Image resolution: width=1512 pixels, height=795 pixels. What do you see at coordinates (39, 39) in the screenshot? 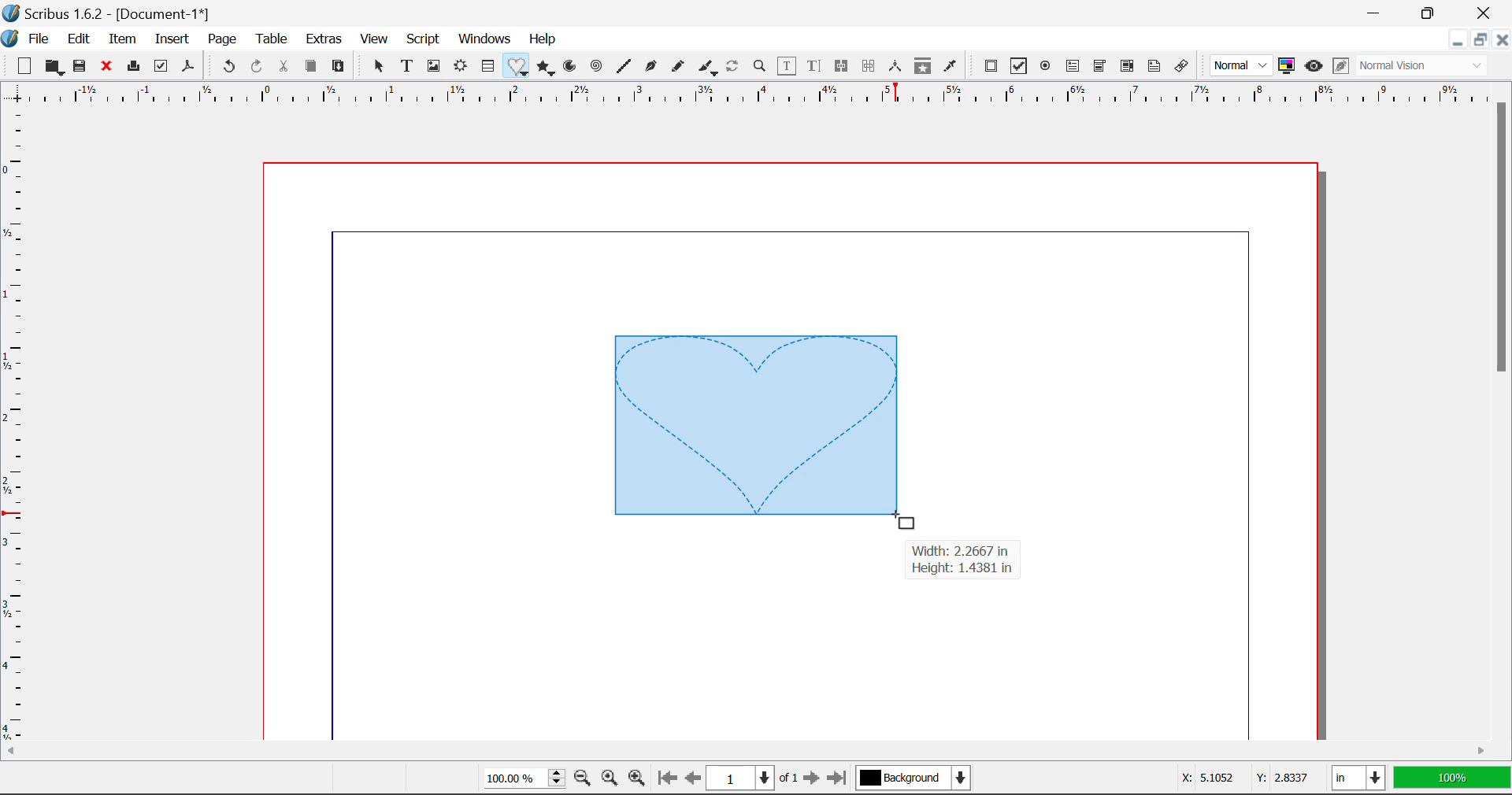
I see `File` at bounding box center [39, 39].